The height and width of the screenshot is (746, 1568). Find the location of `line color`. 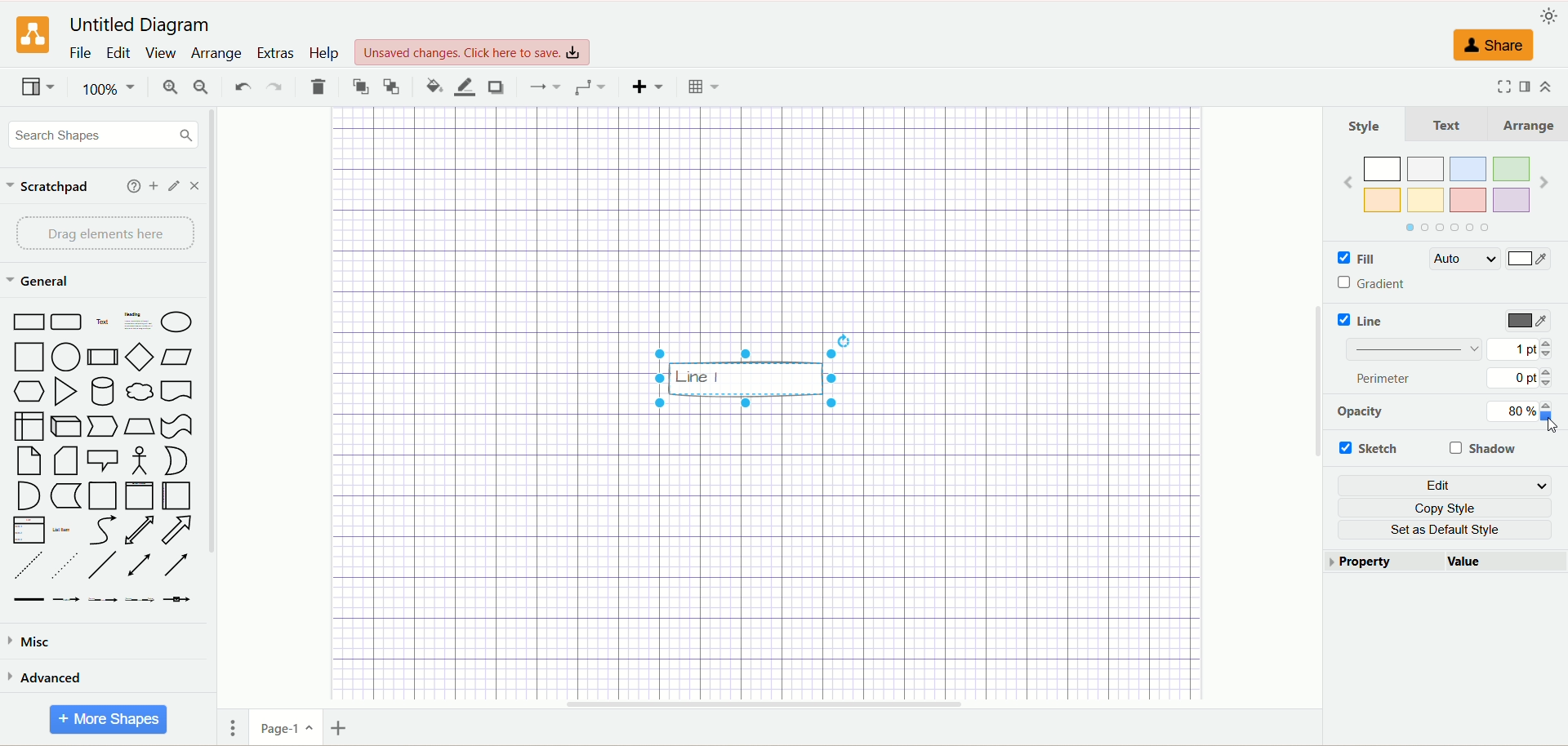

line color is located at coordinates (462, 87).